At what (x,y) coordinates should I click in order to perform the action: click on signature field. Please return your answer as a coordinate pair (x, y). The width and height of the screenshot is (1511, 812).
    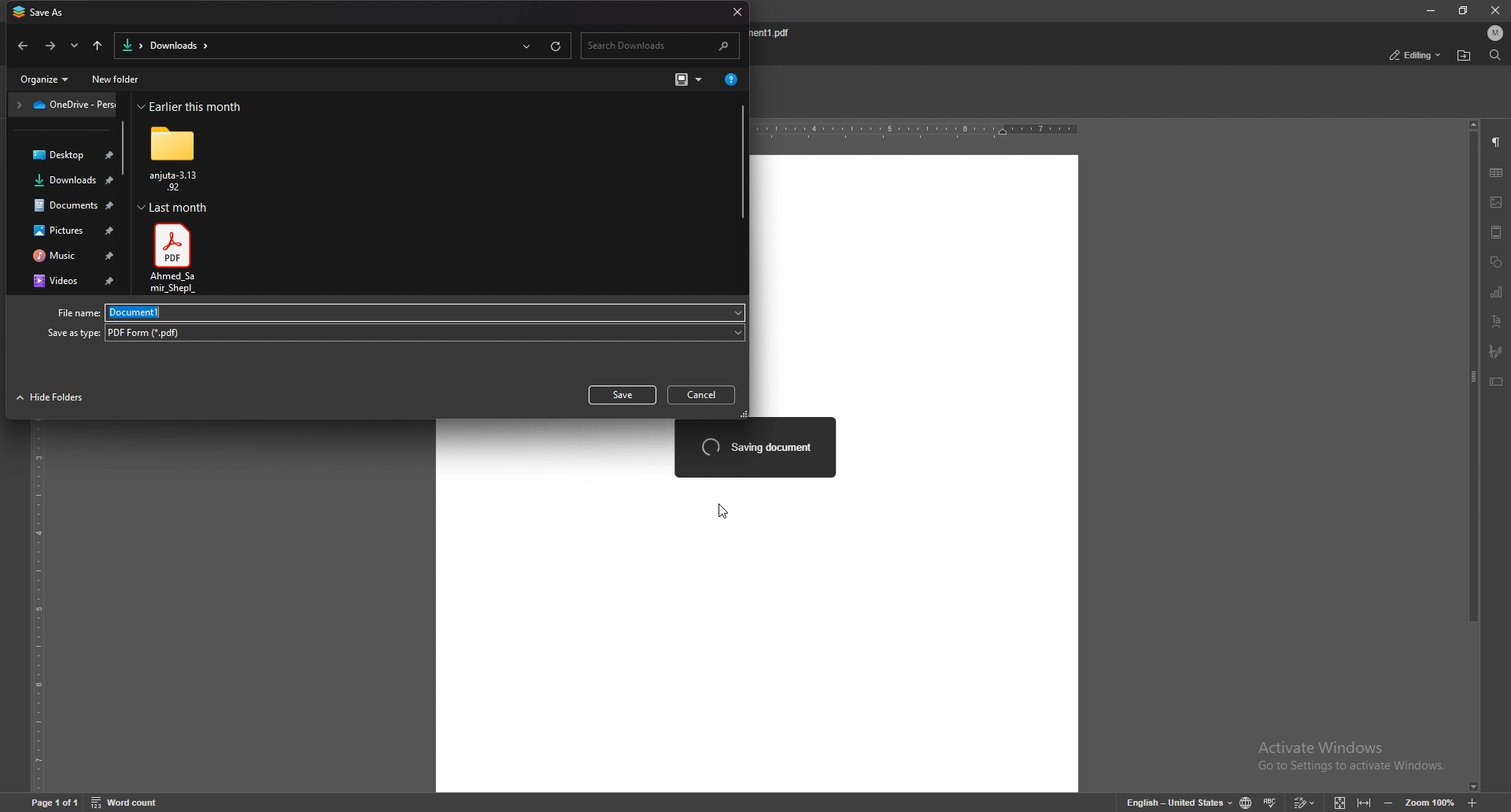
    Looking at the image, I should click on (1497, 350).